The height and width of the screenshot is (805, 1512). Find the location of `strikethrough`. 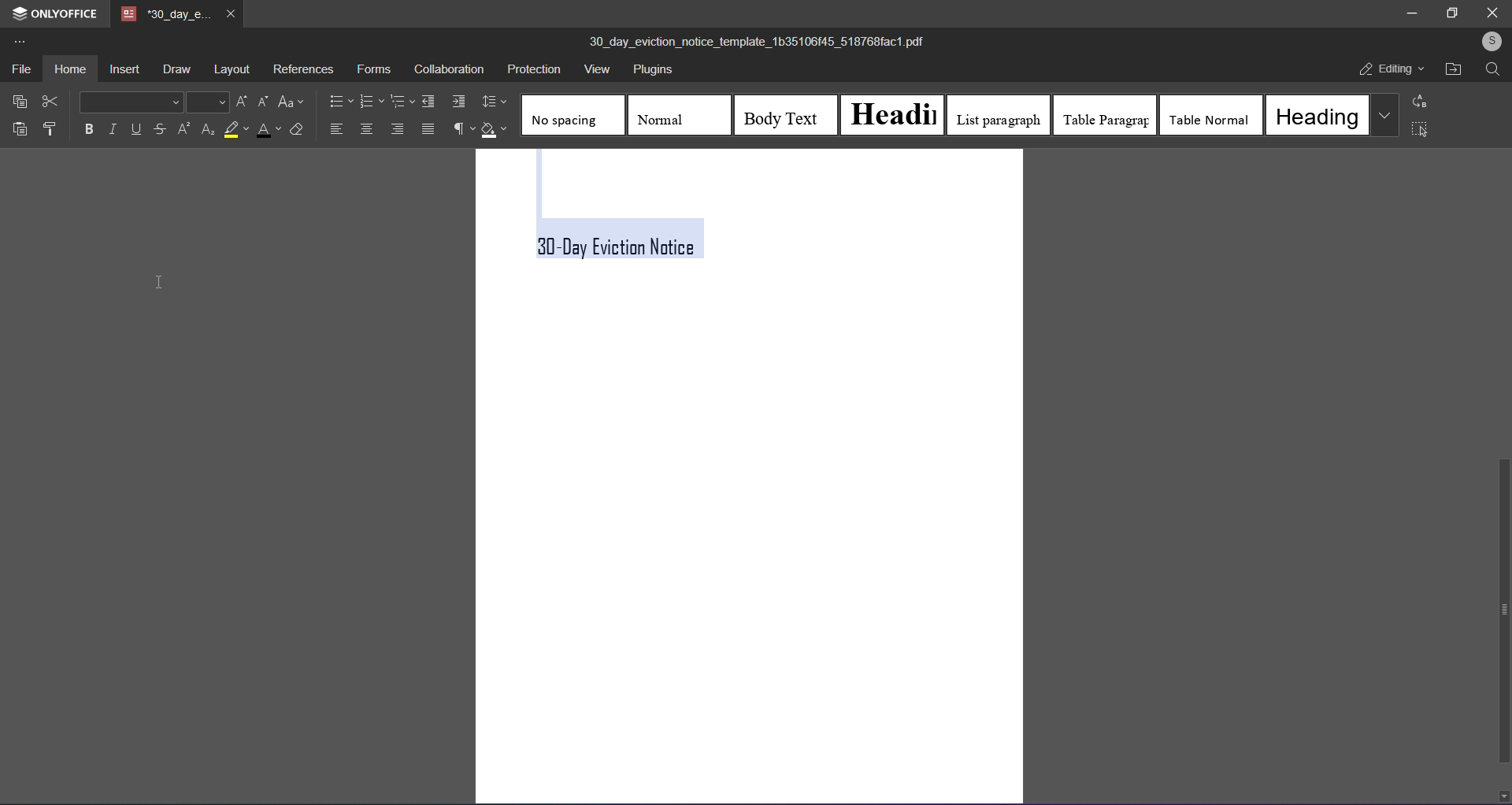

strikethrough is located at coordinates (161, 130).